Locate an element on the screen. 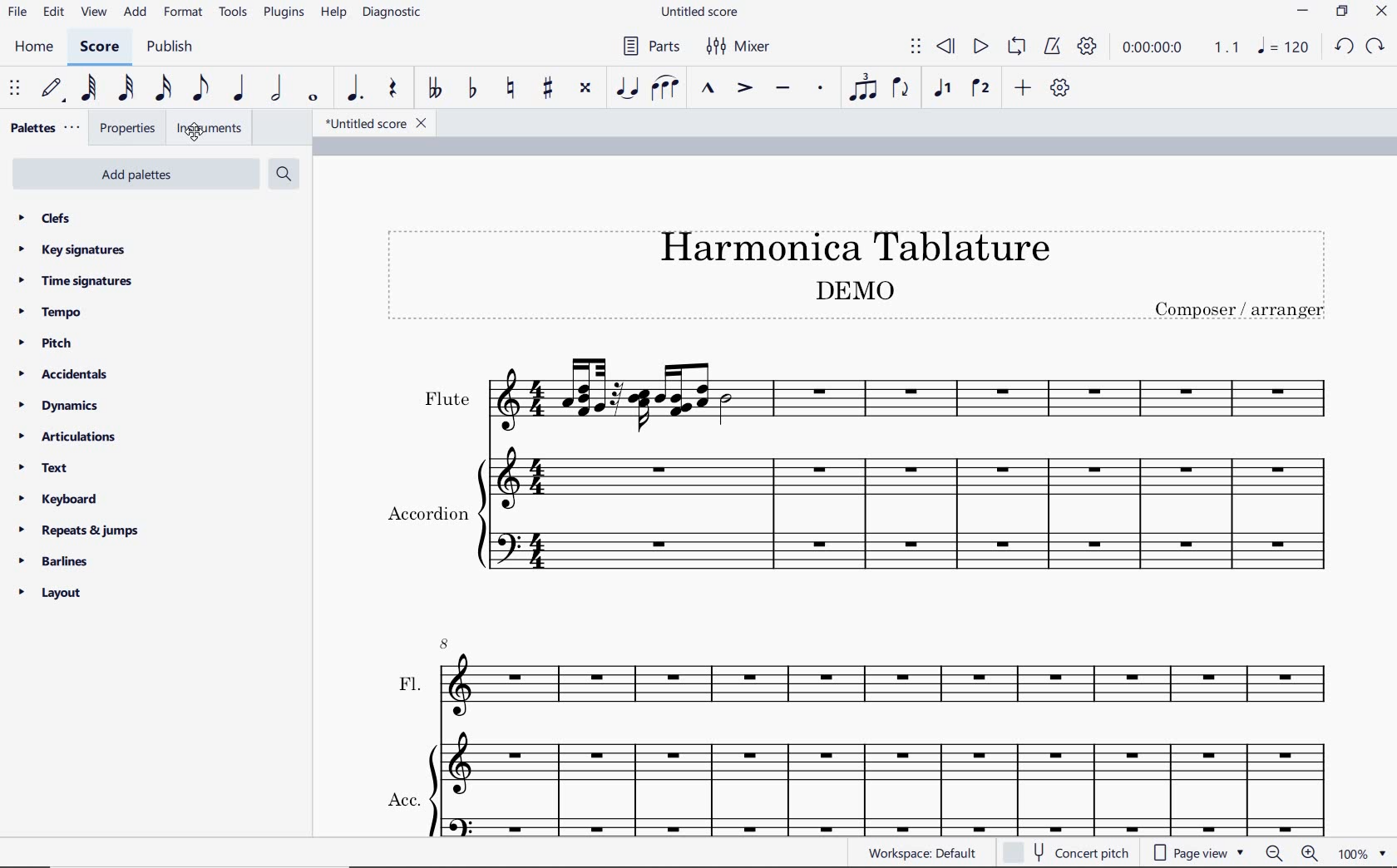 The height and width of the screenshot is (868, 1397). toggle natural is located at coordinates (509, 89).